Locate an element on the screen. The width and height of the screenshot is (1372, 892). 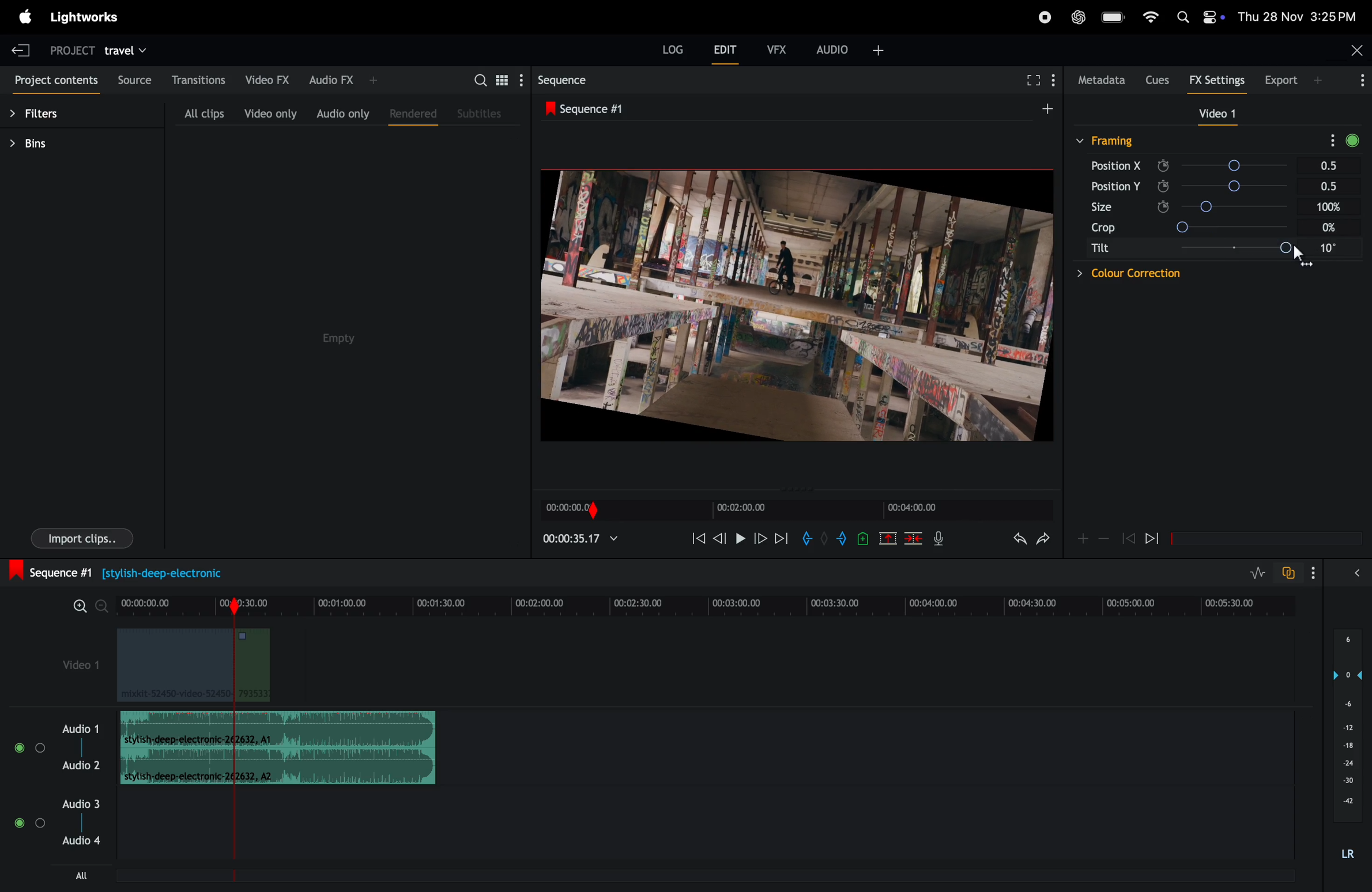
cursor is located at coordinates (1303, 256).